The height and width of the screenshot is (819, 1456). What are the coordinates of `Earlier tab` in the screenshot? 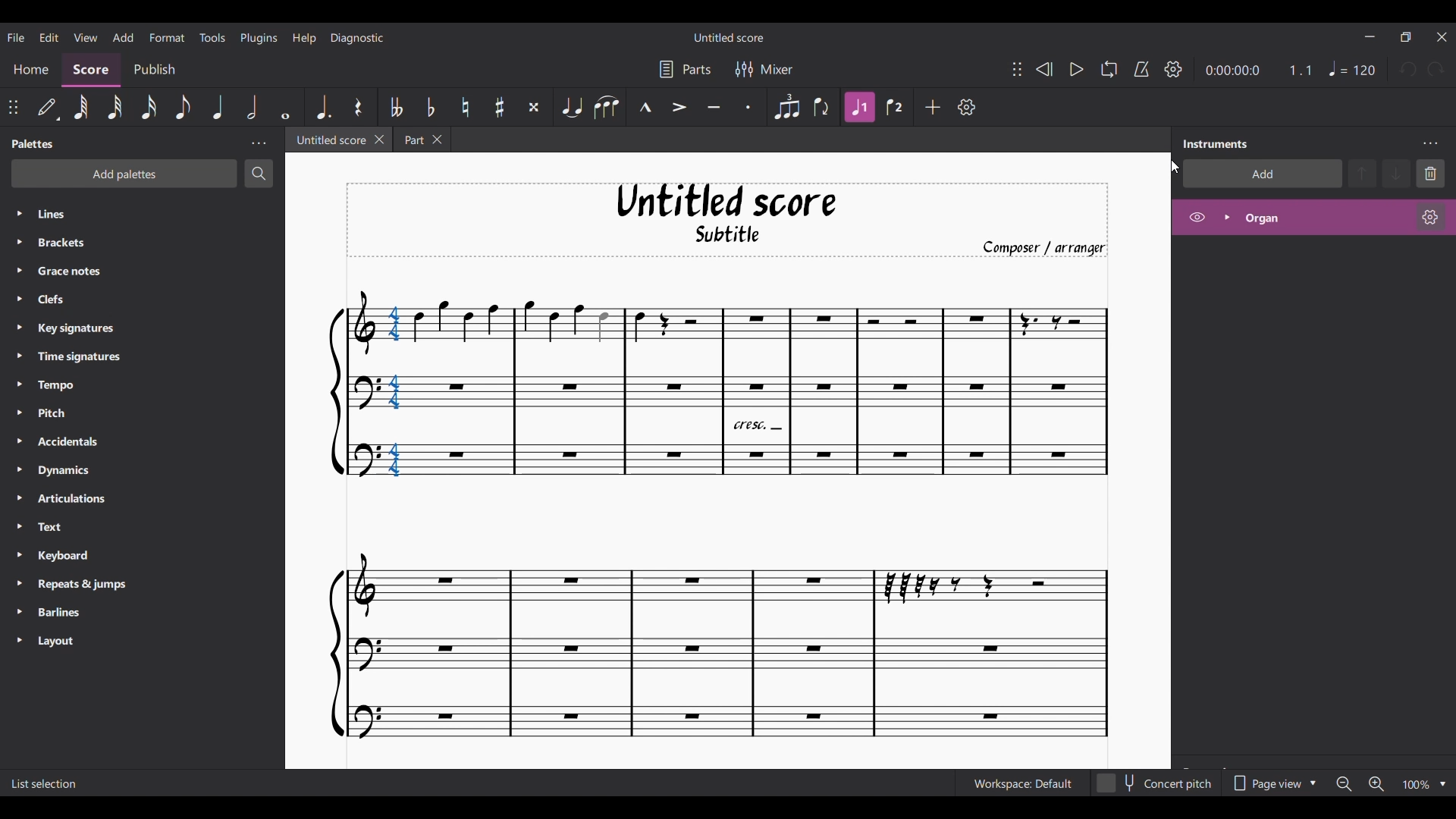 It's located at (422, 139).